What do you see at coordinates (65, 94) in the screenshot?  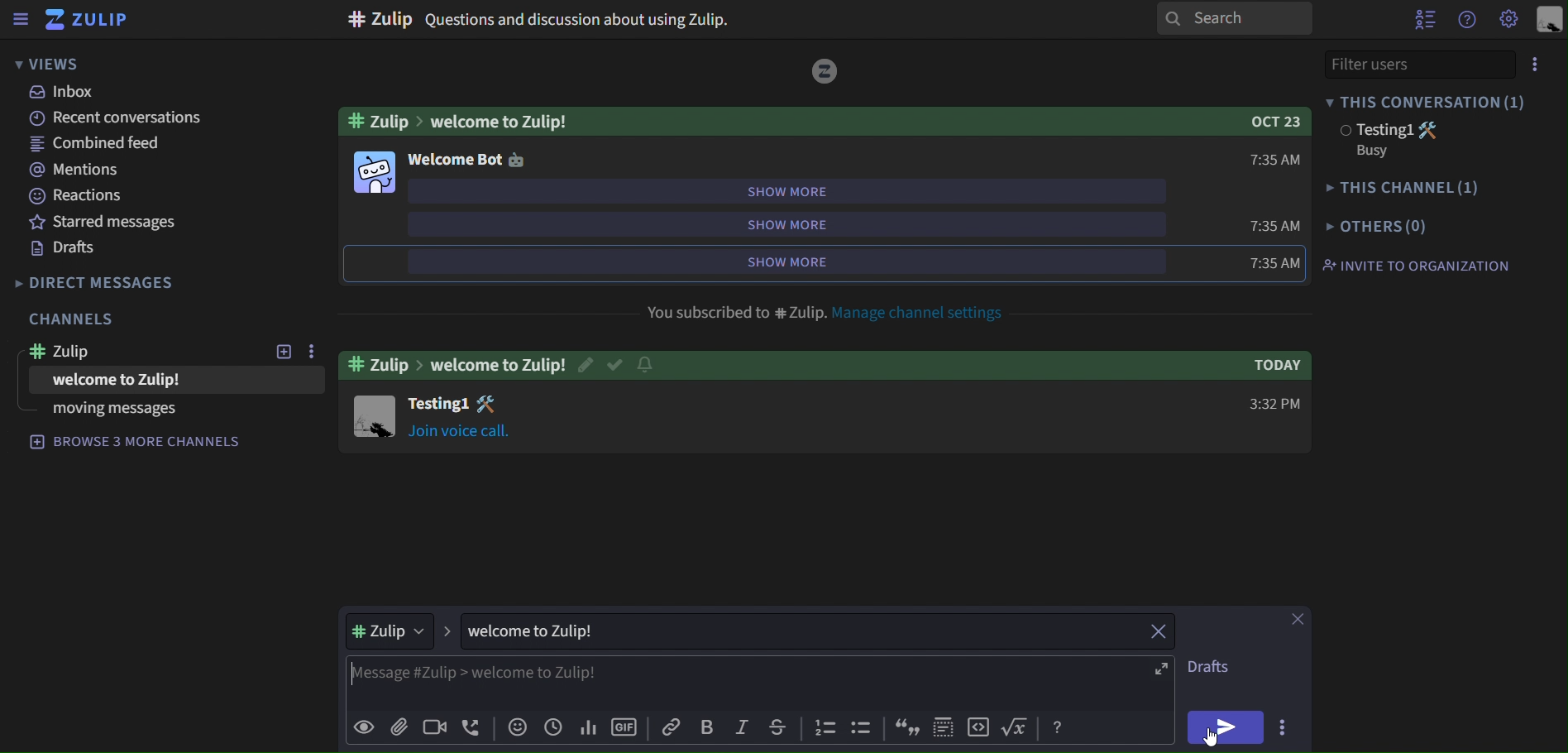 I see `inbox` at bounding box center [65, 94].